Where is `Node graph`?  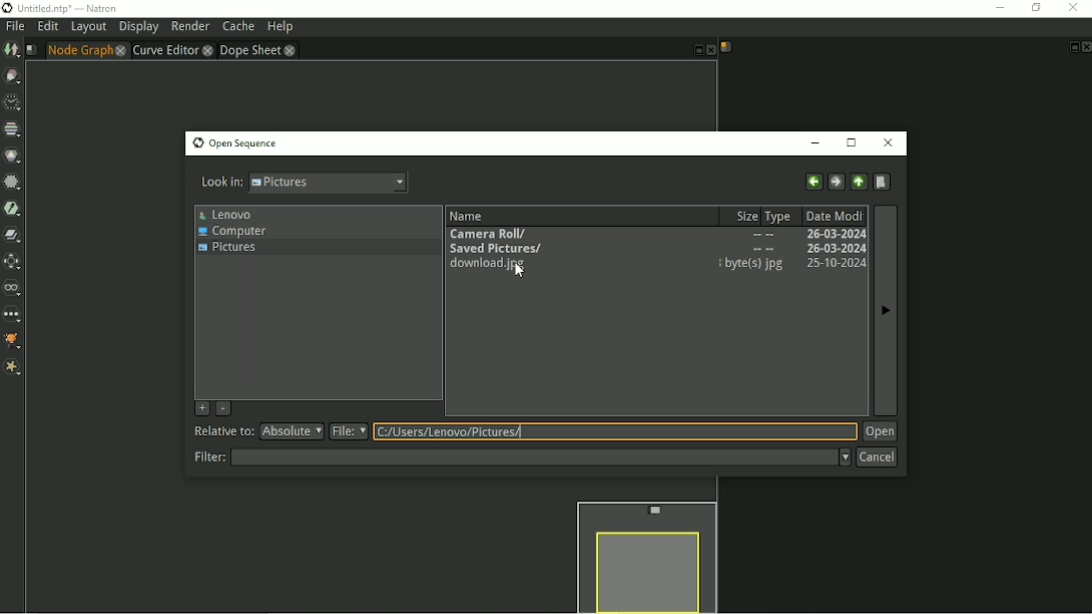 Node graph is located at coordinates (86, 50).